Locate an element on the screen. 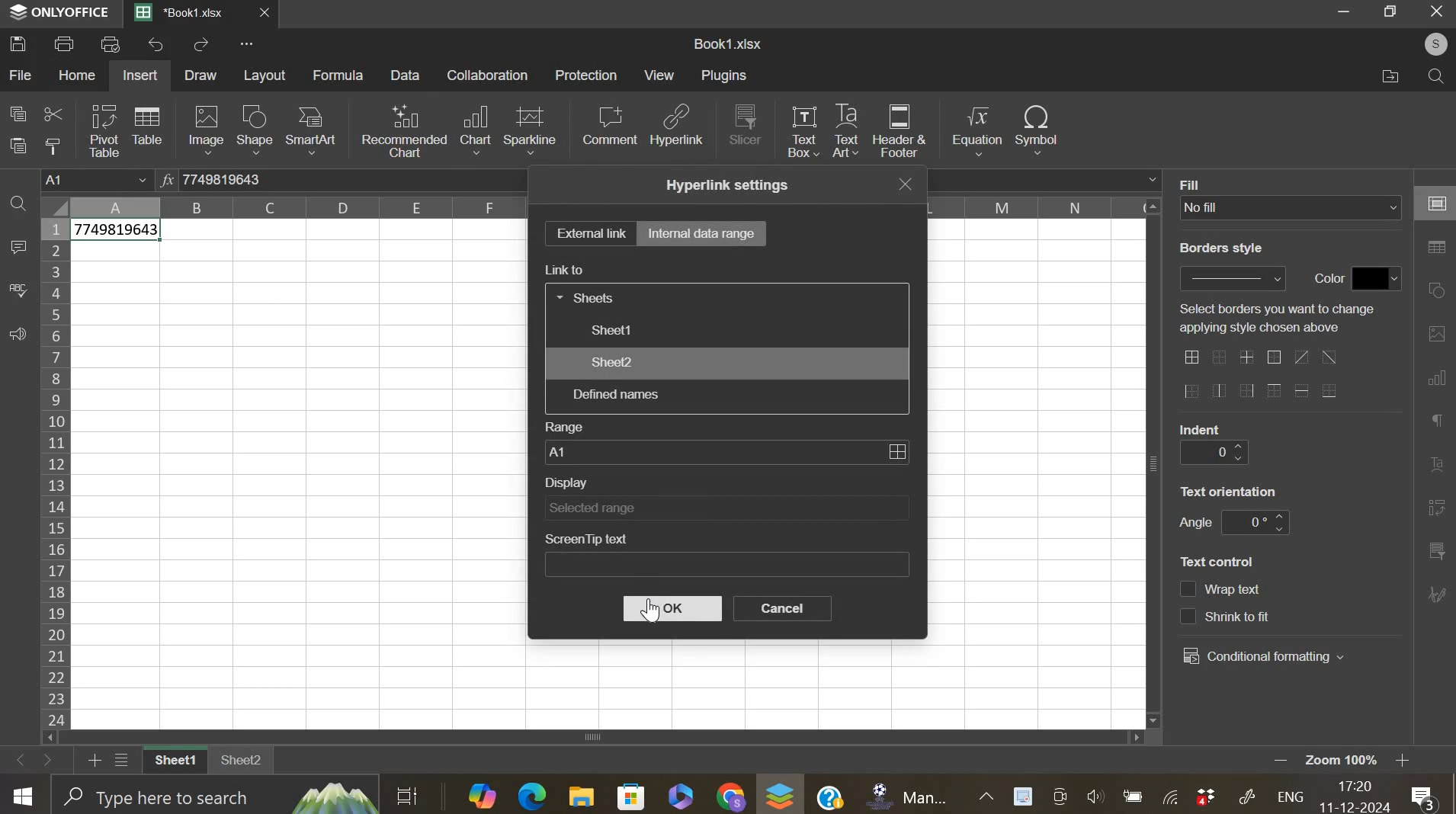  ScreenTip text is located at coordinates (589, 539).